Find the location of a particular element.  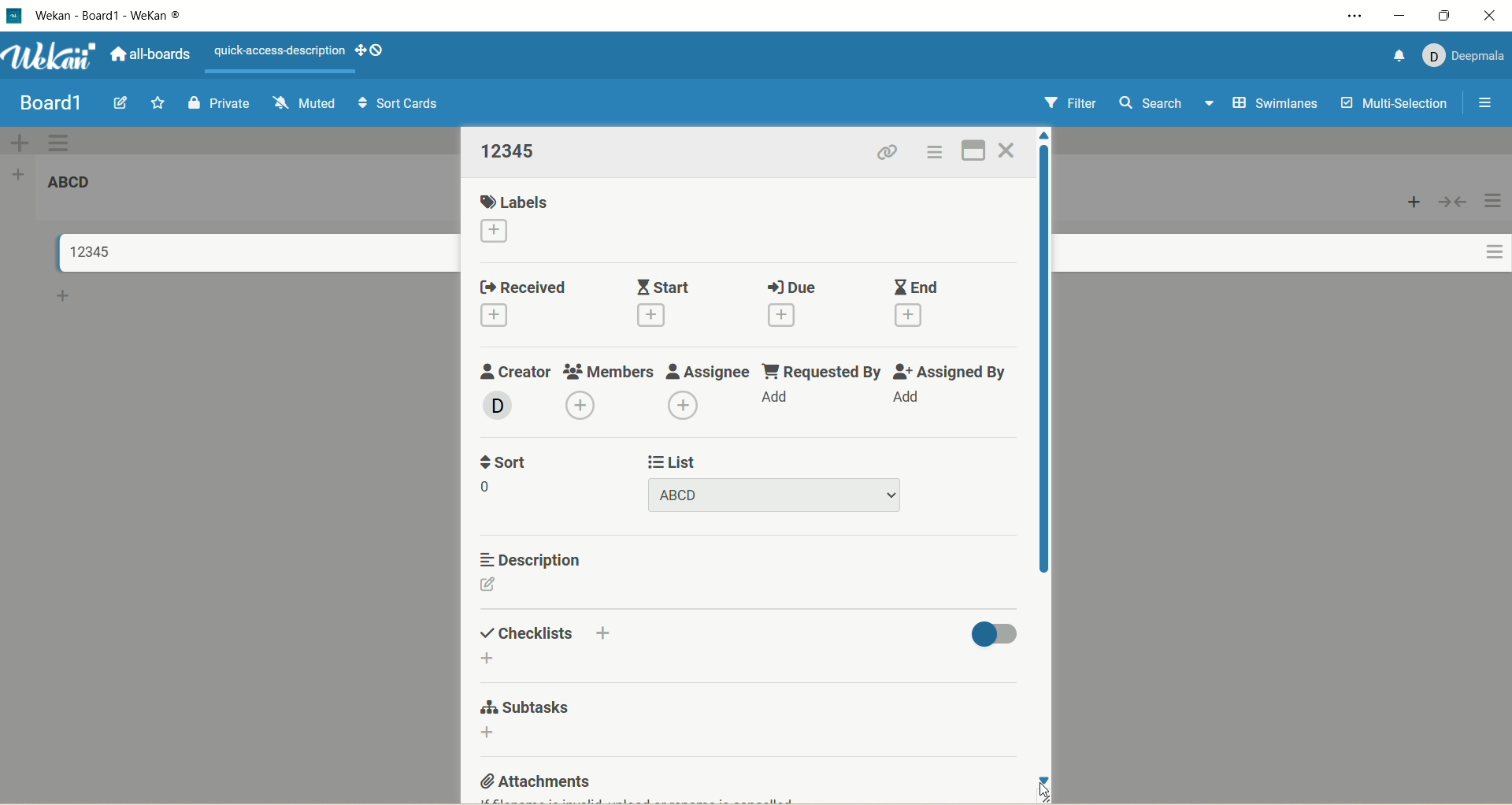

close is located at coordinates (1007, 151).